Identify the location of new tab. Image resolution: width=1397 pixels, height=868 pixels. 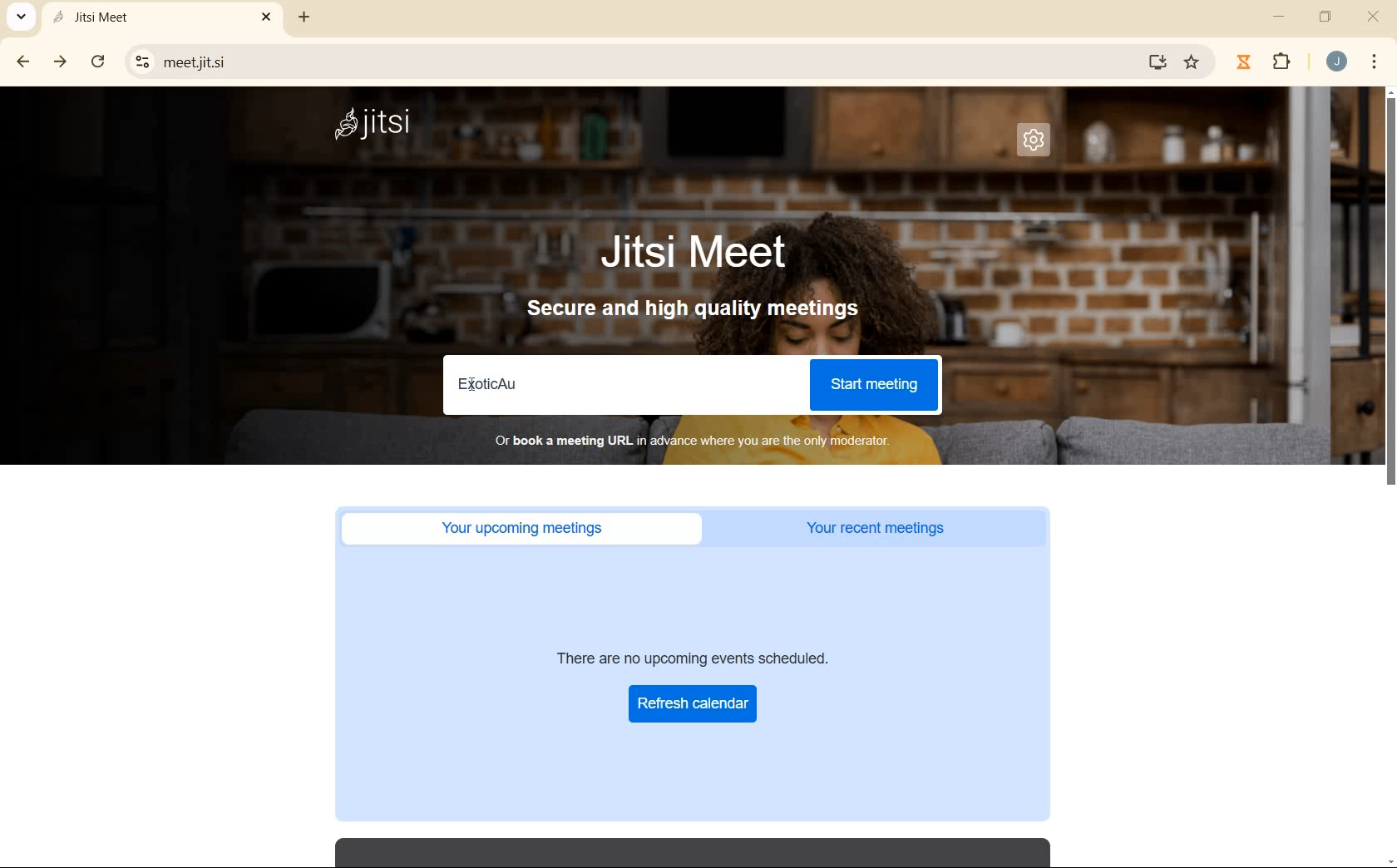
(301, 20).